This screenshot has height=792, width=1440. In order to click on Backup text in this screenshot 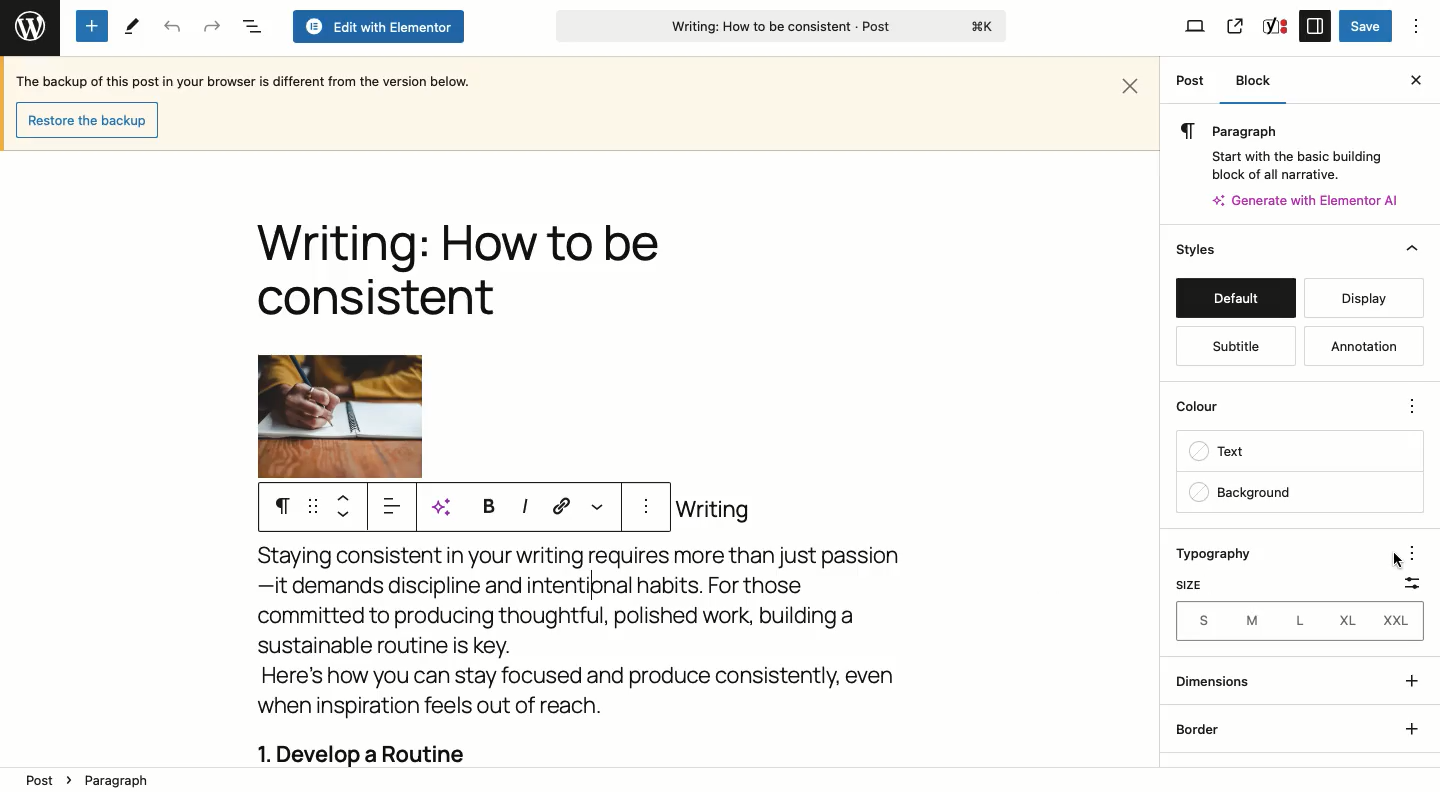, I will do `click(247, 80)`.